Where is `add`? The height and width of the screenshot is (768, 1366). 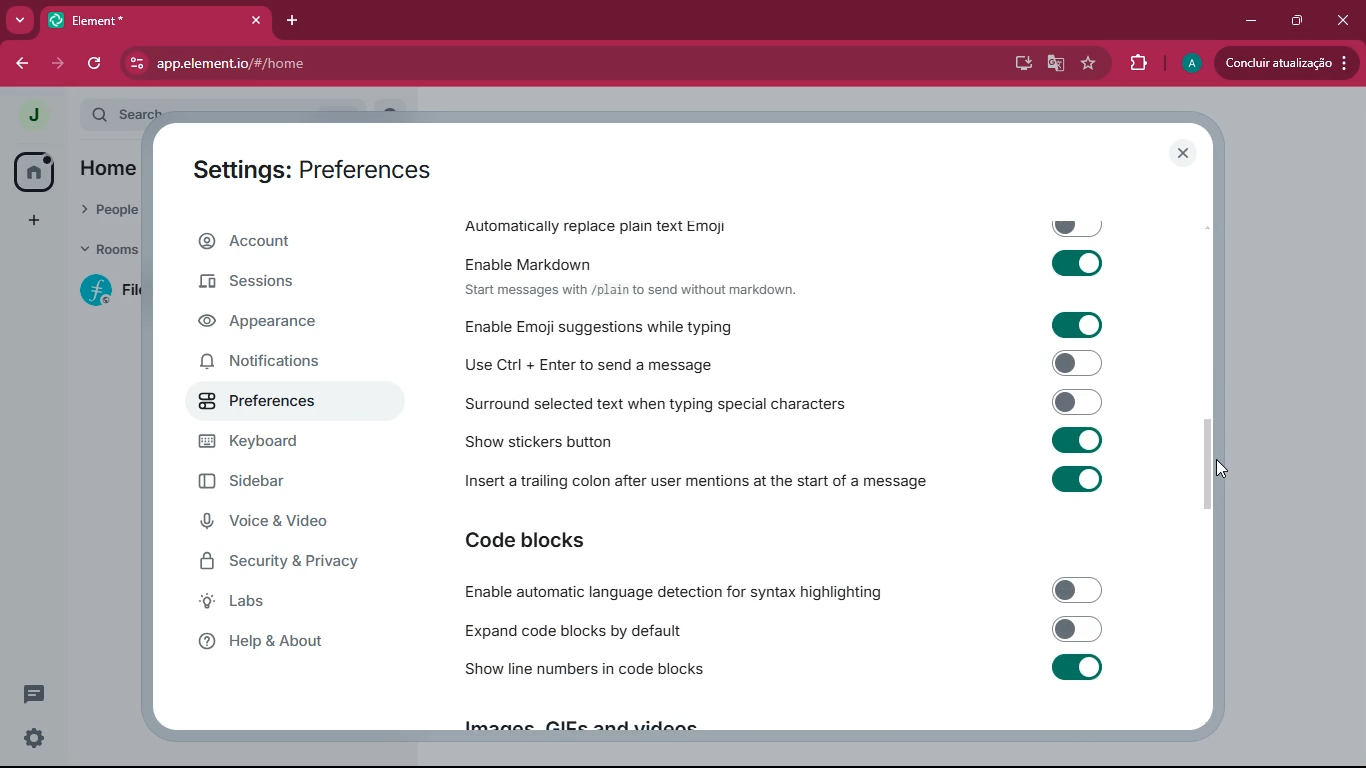 add is located at coordinates (33, 220).